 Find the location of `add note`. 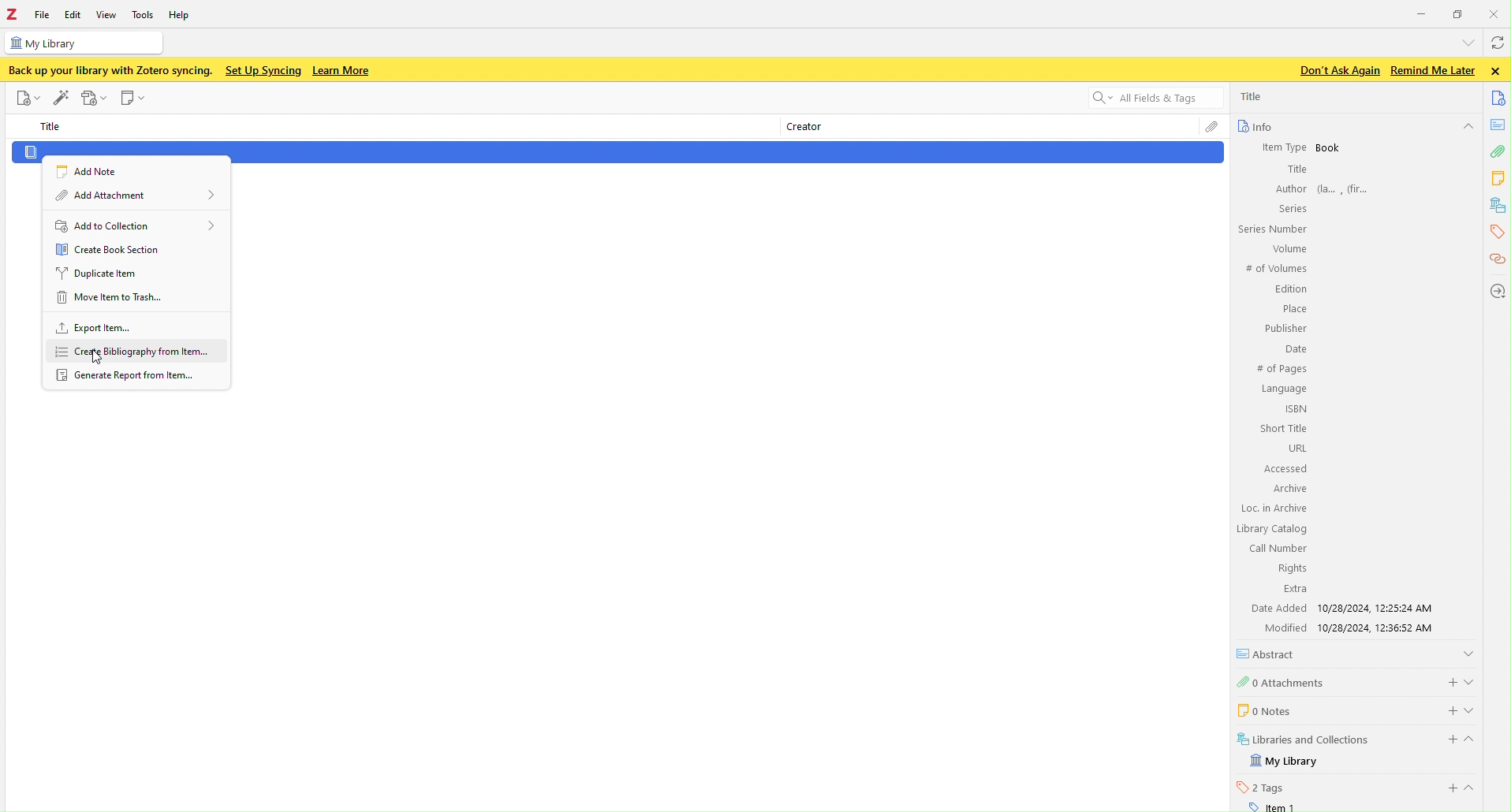

add note is located at coordinates (91, 170).